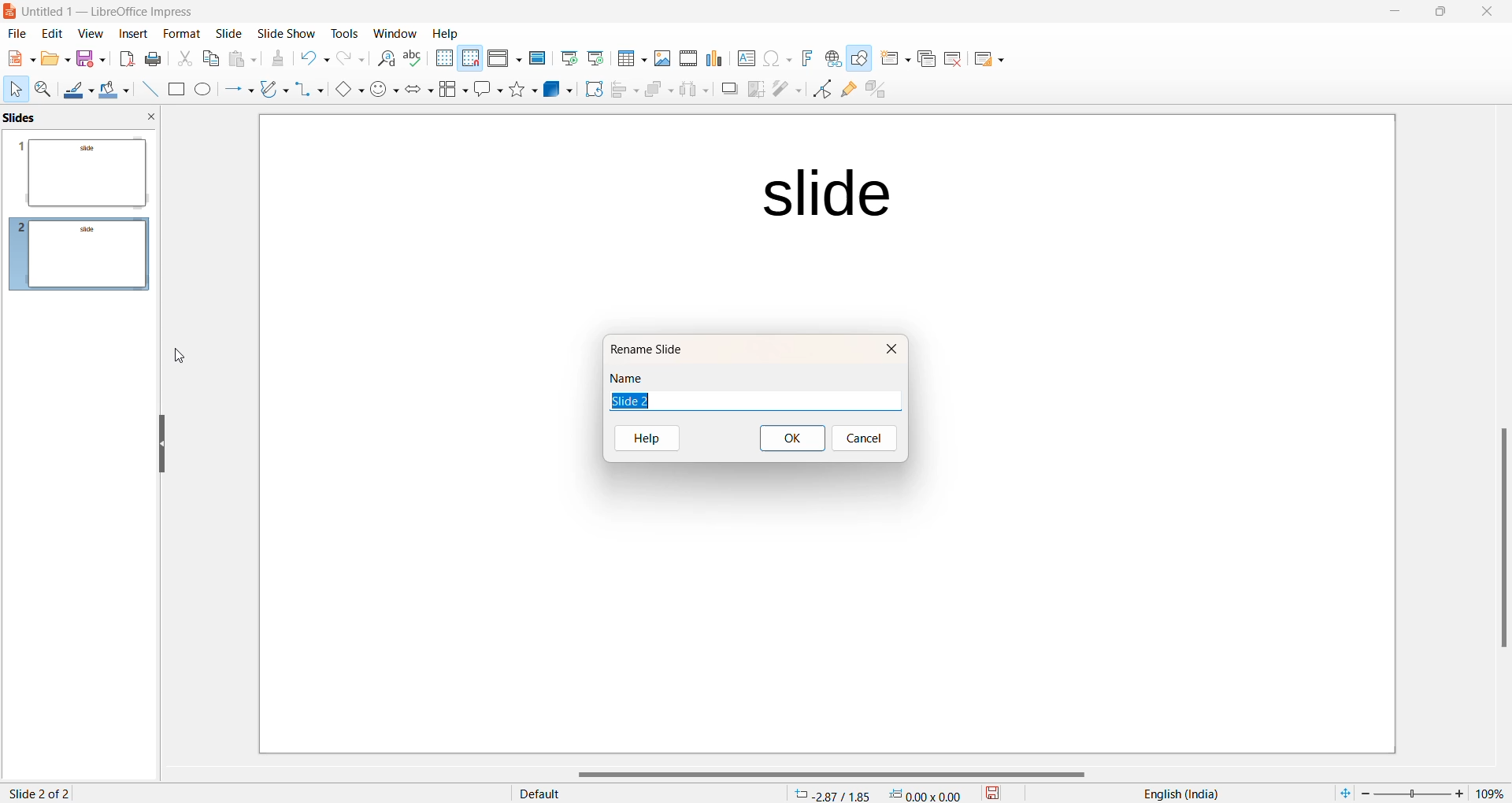 The width and height of the screenshot is (1512, 803). I want to click on Arrange, so click(655, 92).